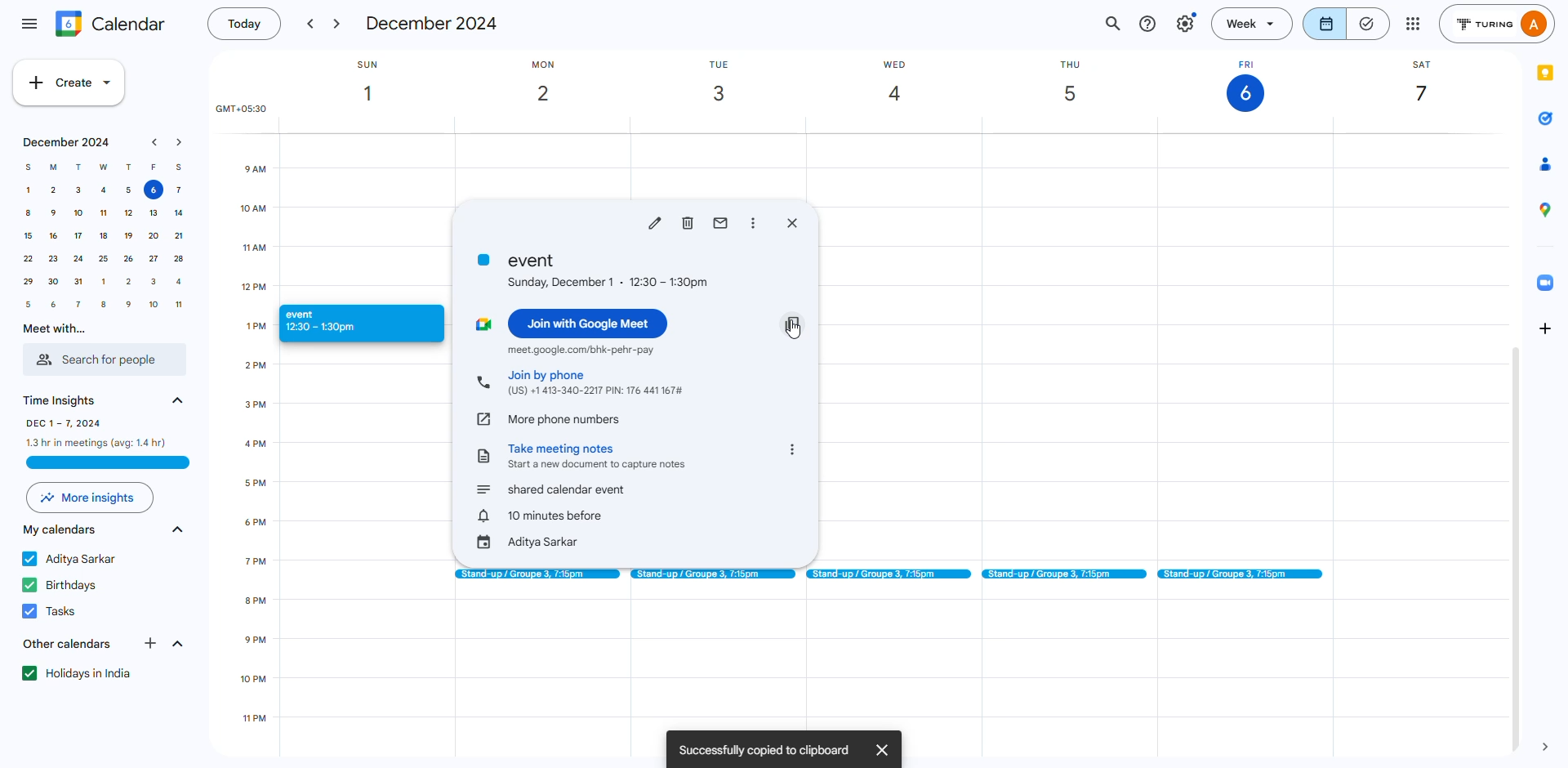 This screenshot has width=1568, height=768. I want to click on next page, so click(1550, 745).